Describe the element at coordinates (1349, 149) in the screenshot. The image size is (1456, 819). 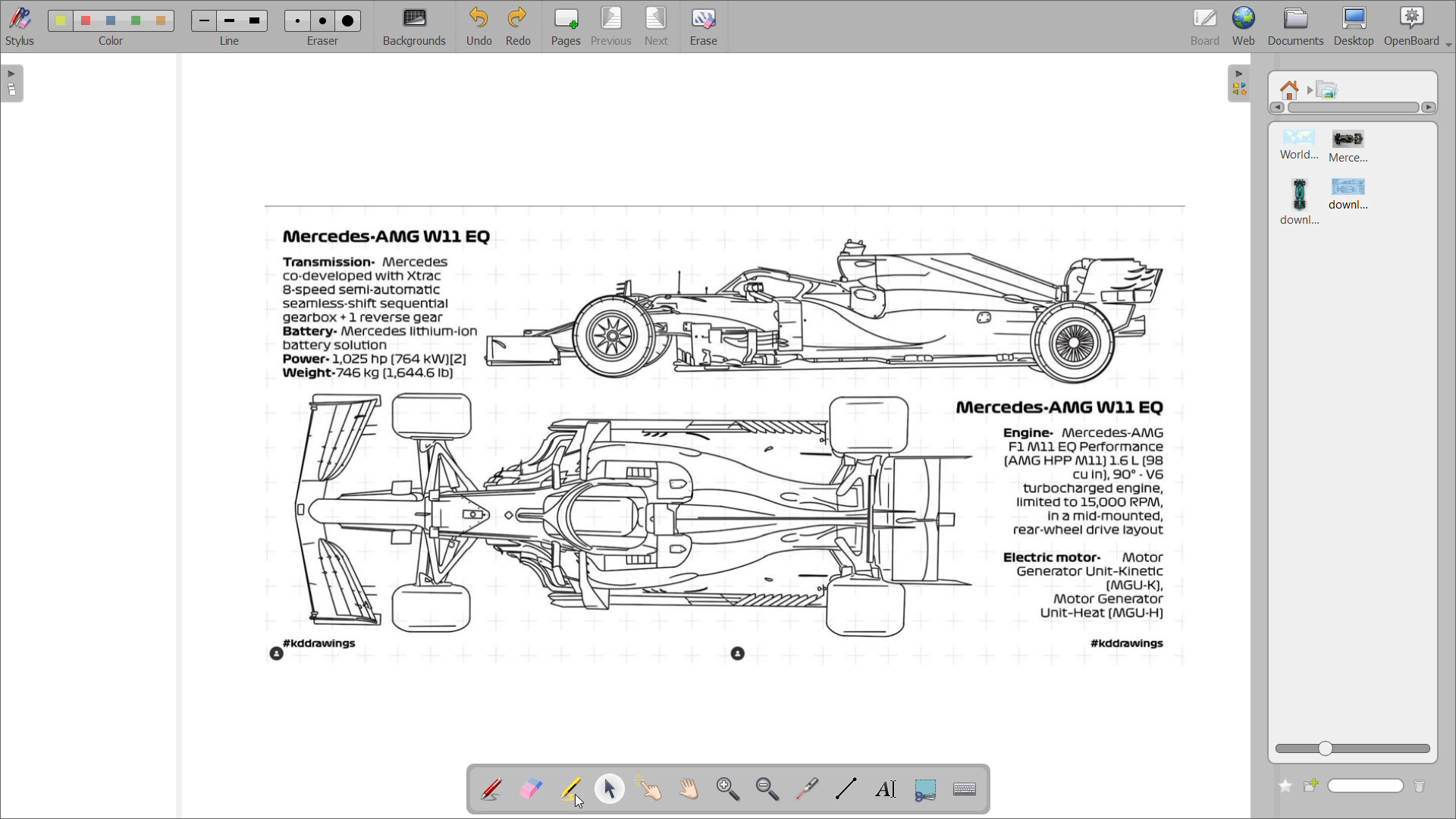
I see `image 2` at that location.